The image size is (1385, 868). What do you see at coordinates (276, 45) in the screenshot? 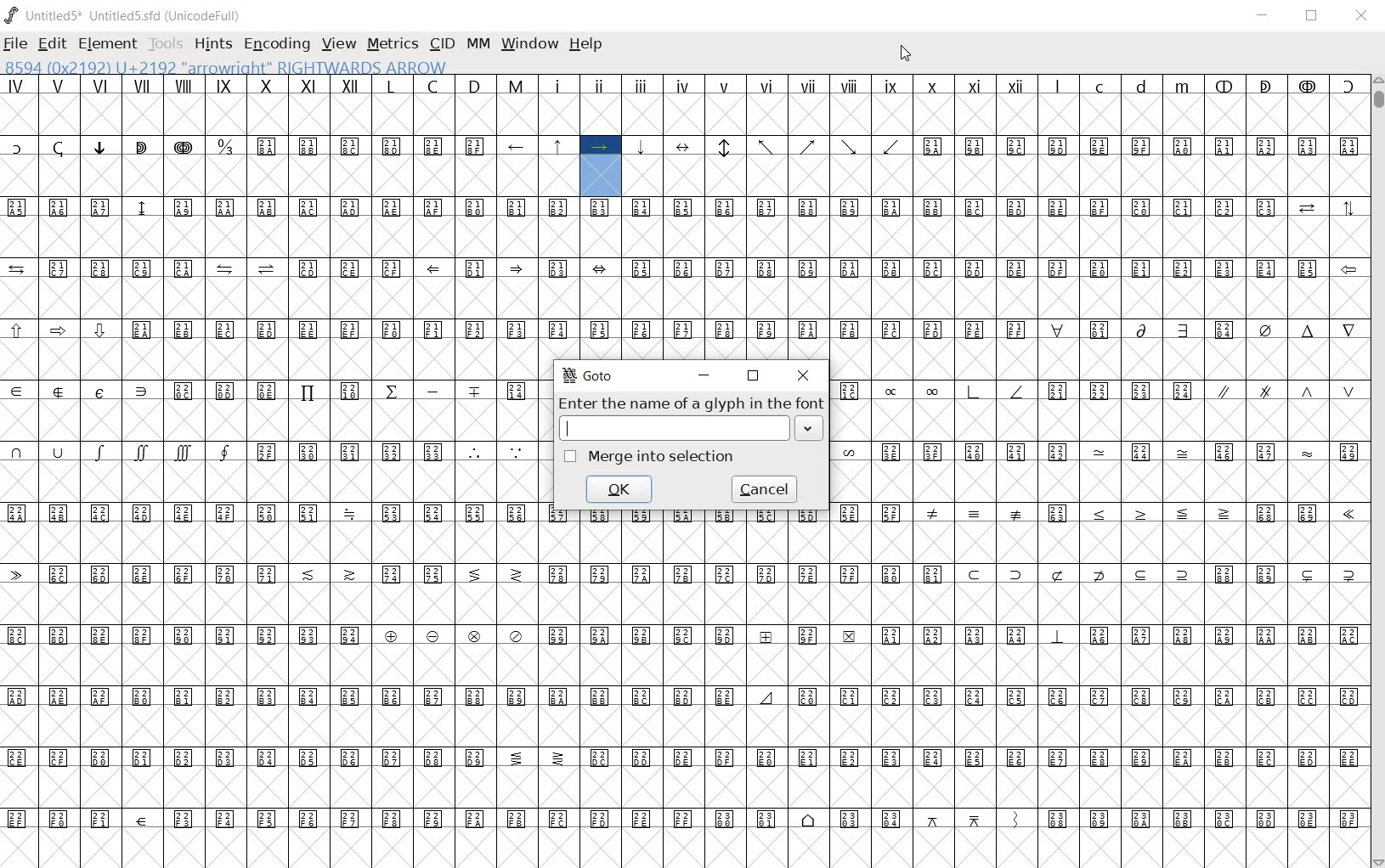
I see `ENCODING` at bounding box center [276, 45].